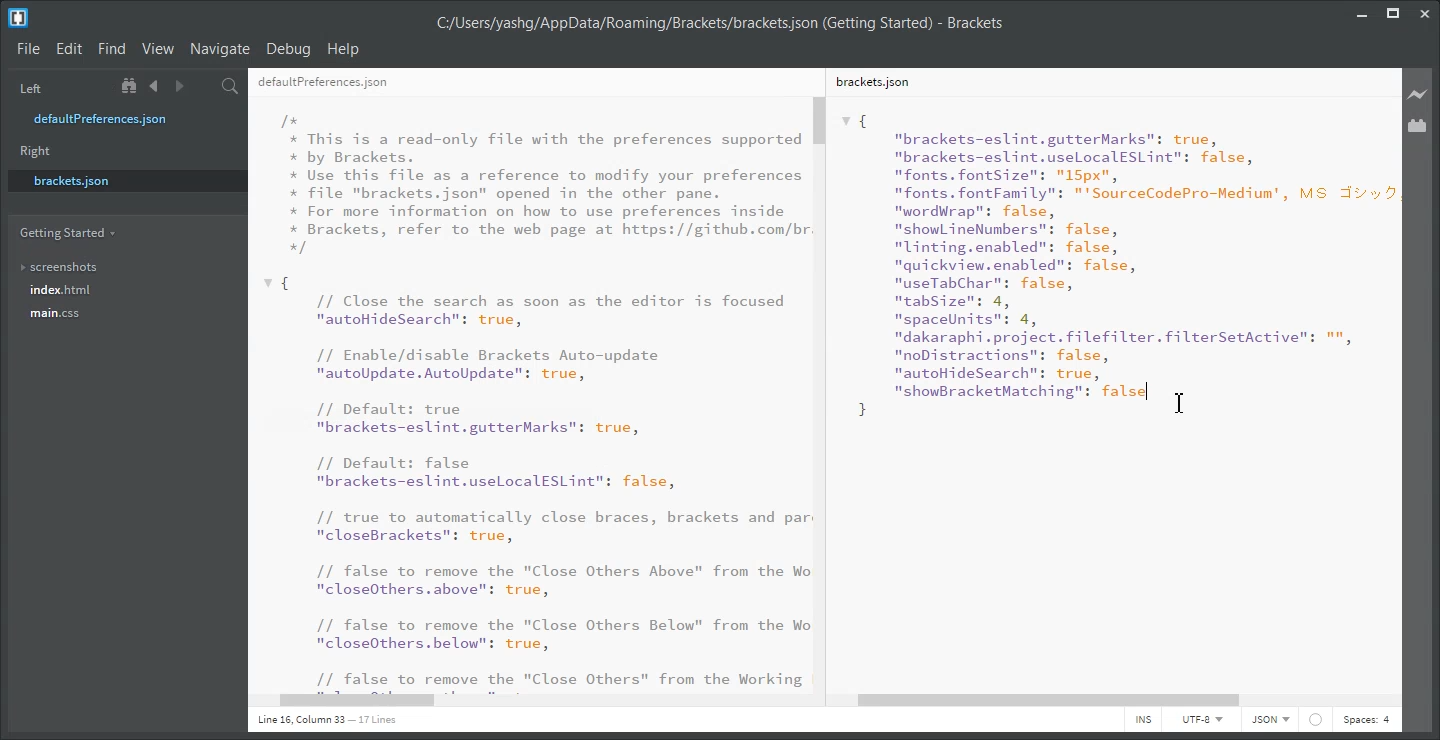 This screenshot has height=740, width=1440. I want to click on defaultPreferences.json, so click(323, 83).